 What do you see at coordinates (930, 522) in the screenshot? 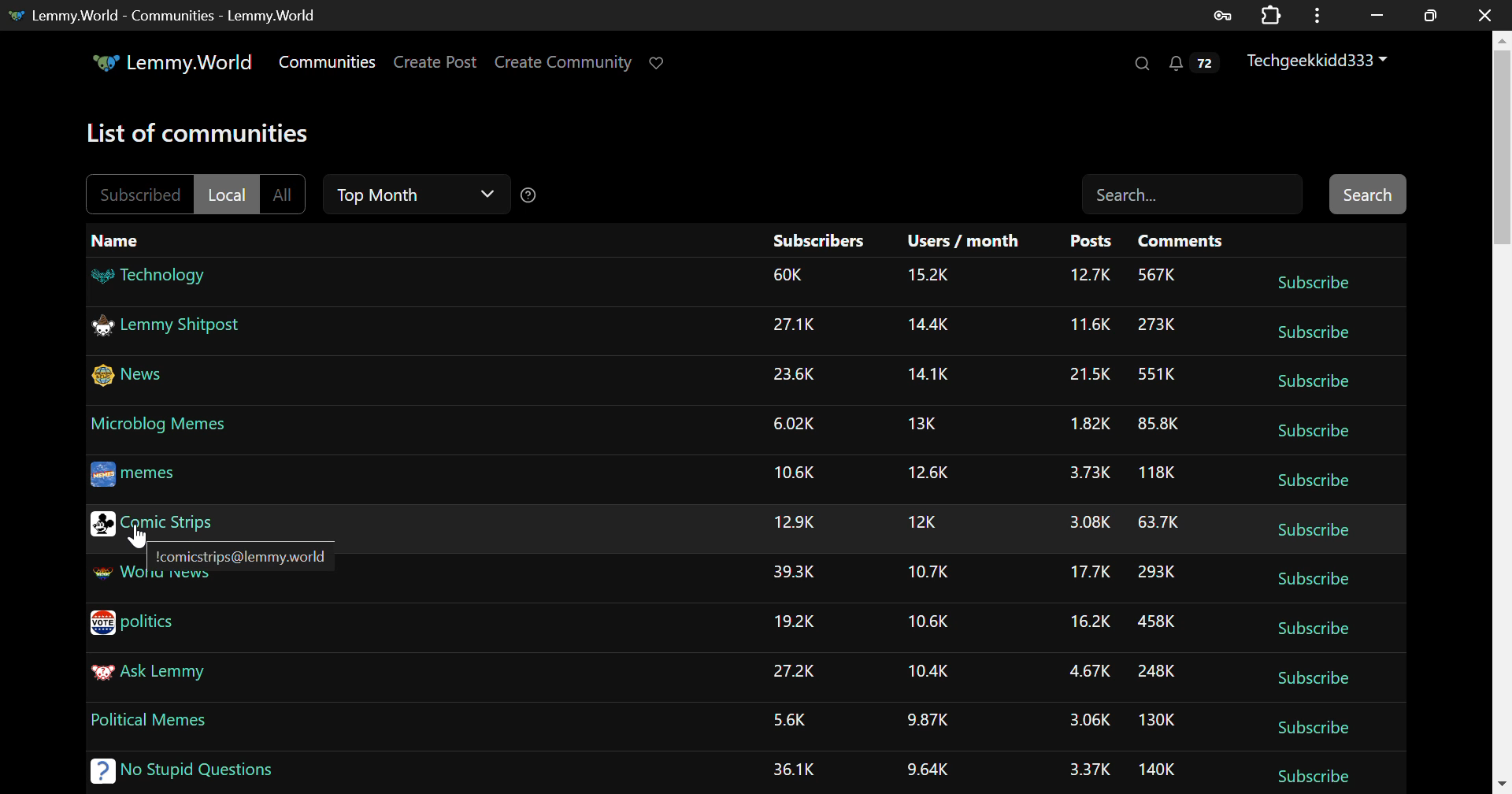
I see `Amount` at bounding box center [930, 522].